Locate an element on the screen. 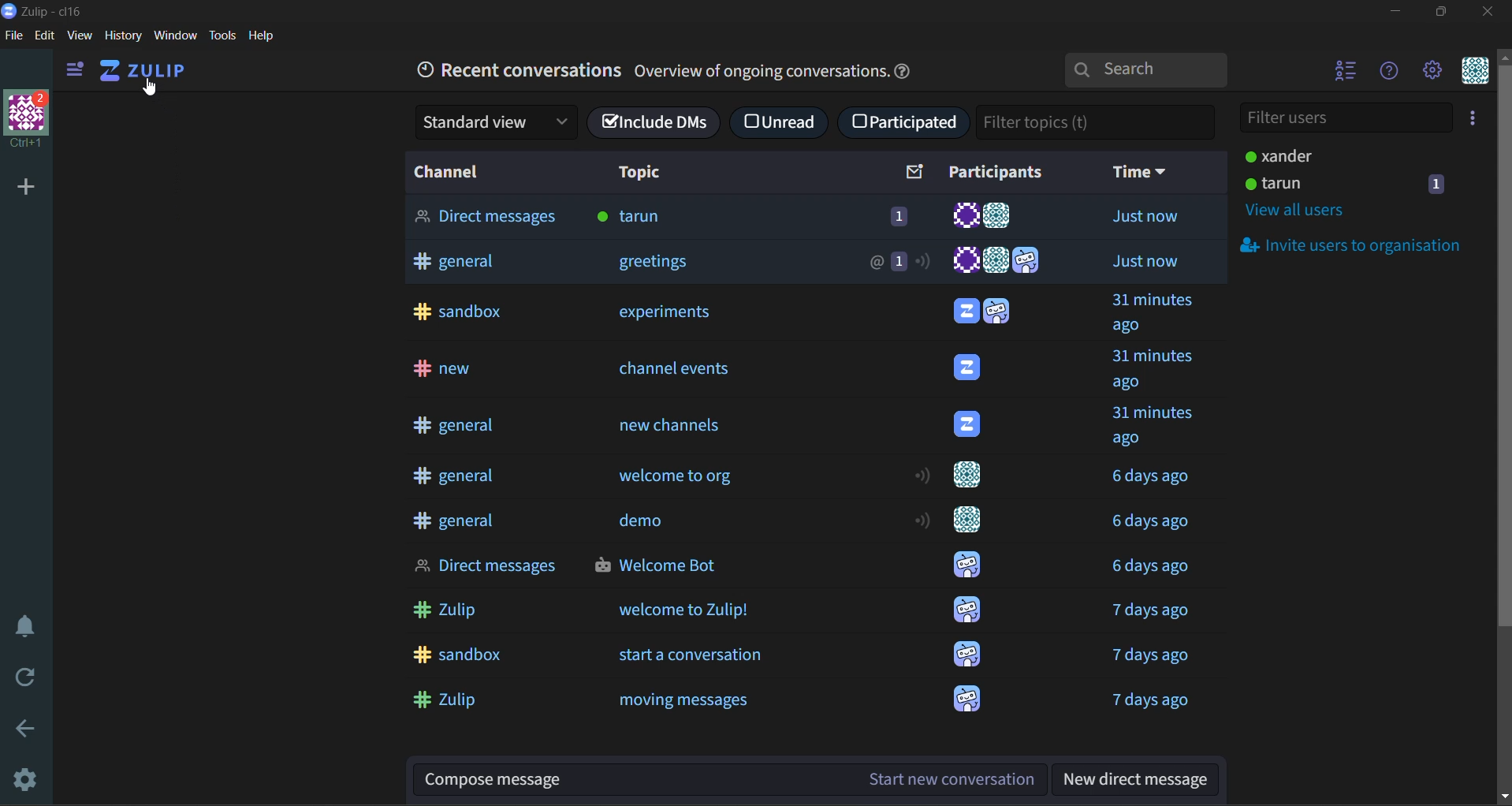 The width and height of the screenshot is (1512, 806). hide user list is located at coordinates (1344, 72).